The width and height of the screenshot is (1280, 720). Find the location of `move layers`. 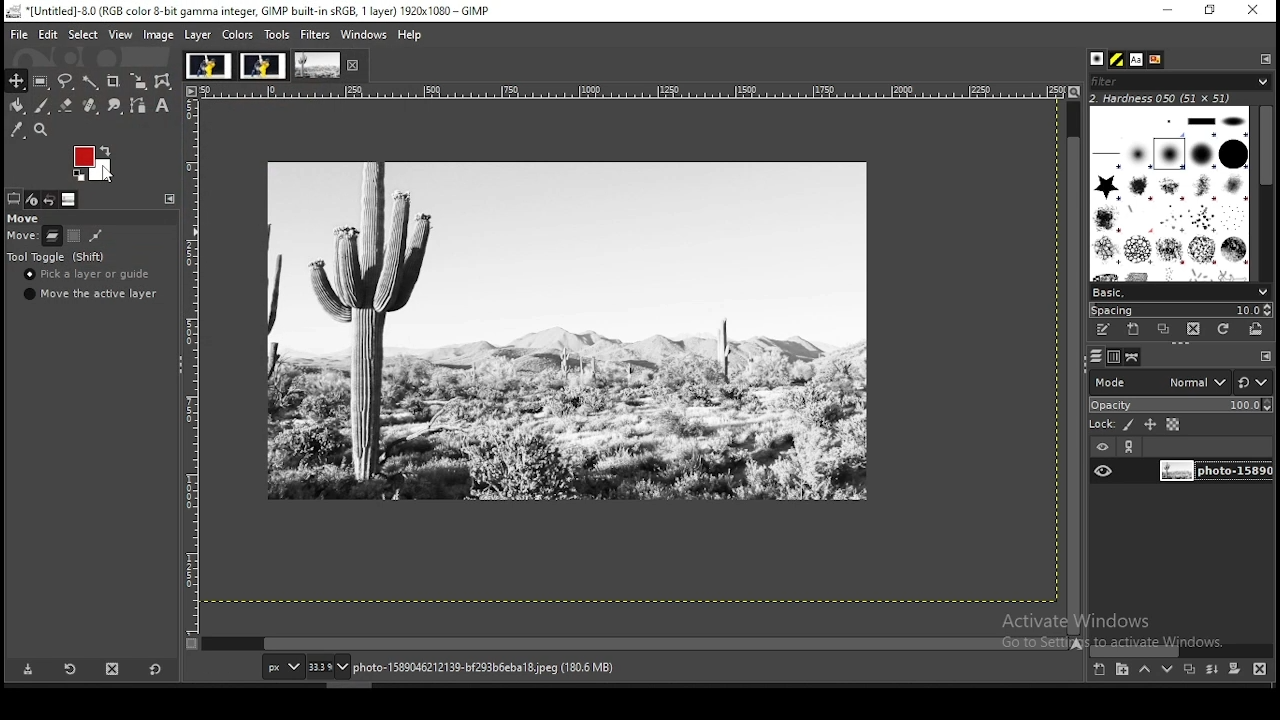

move layers is located at coordinates (52, 235).